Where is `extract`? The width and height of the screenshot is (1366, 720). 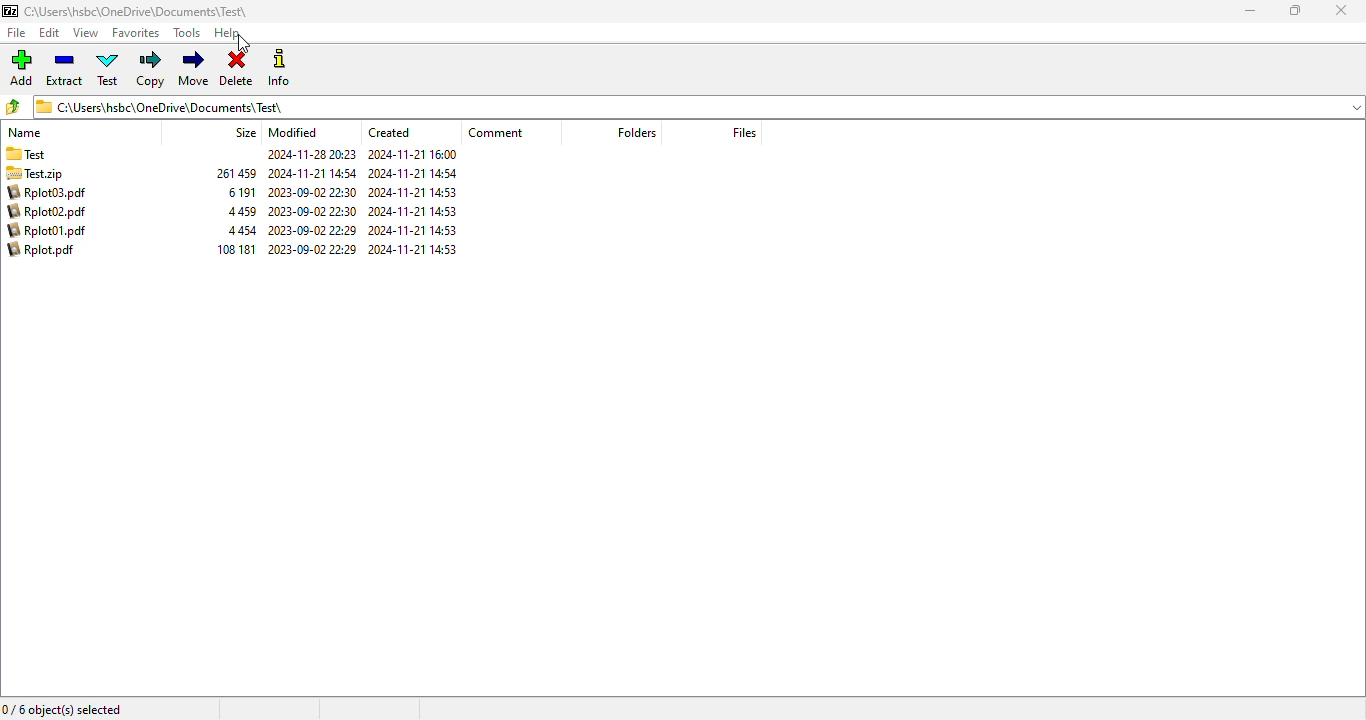
extract is located at coordinates (64, 68).